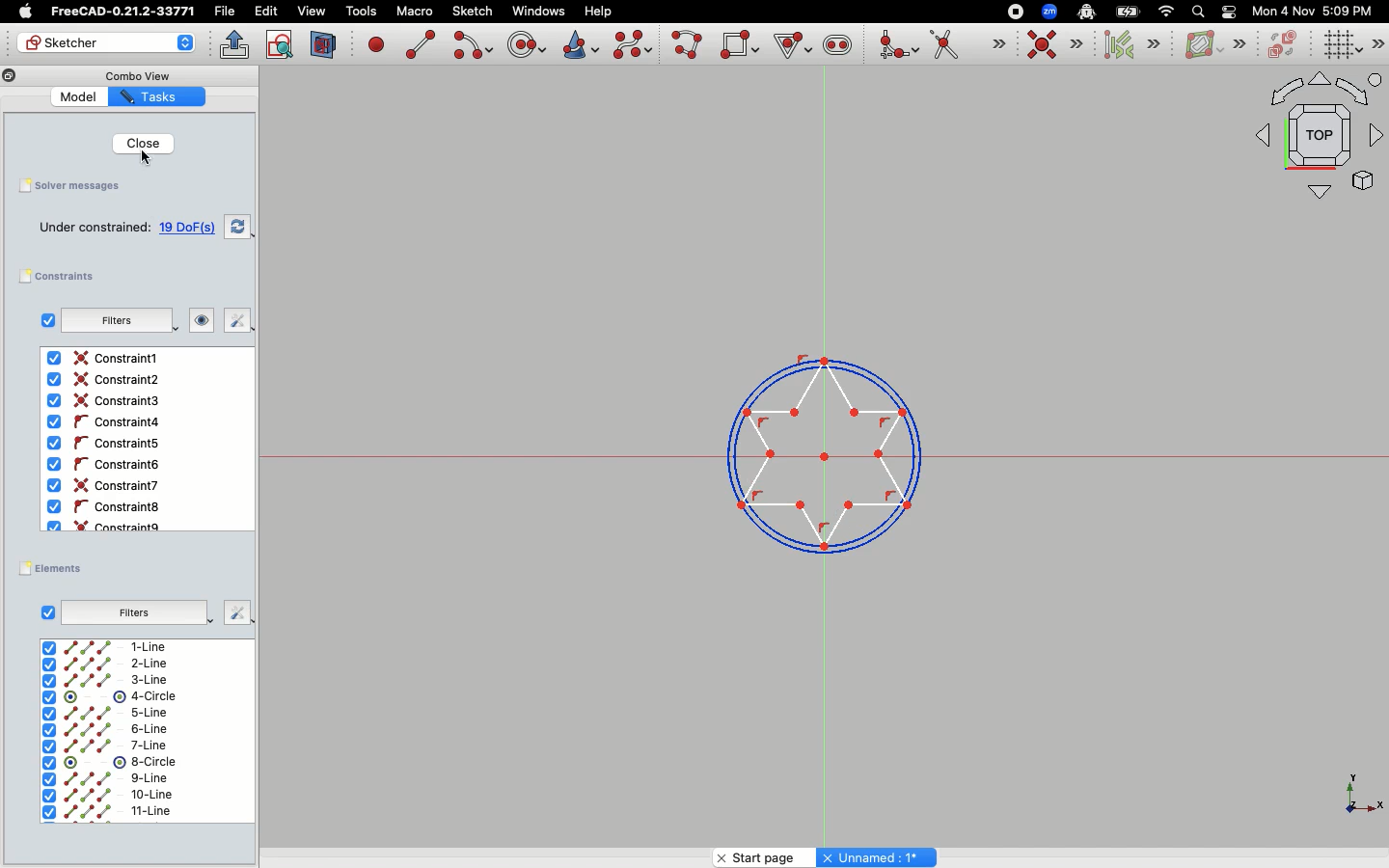  What do you see at coordinates (10, 78) in the screenshot?
I see `Copy` at bounding box center [10, 78].